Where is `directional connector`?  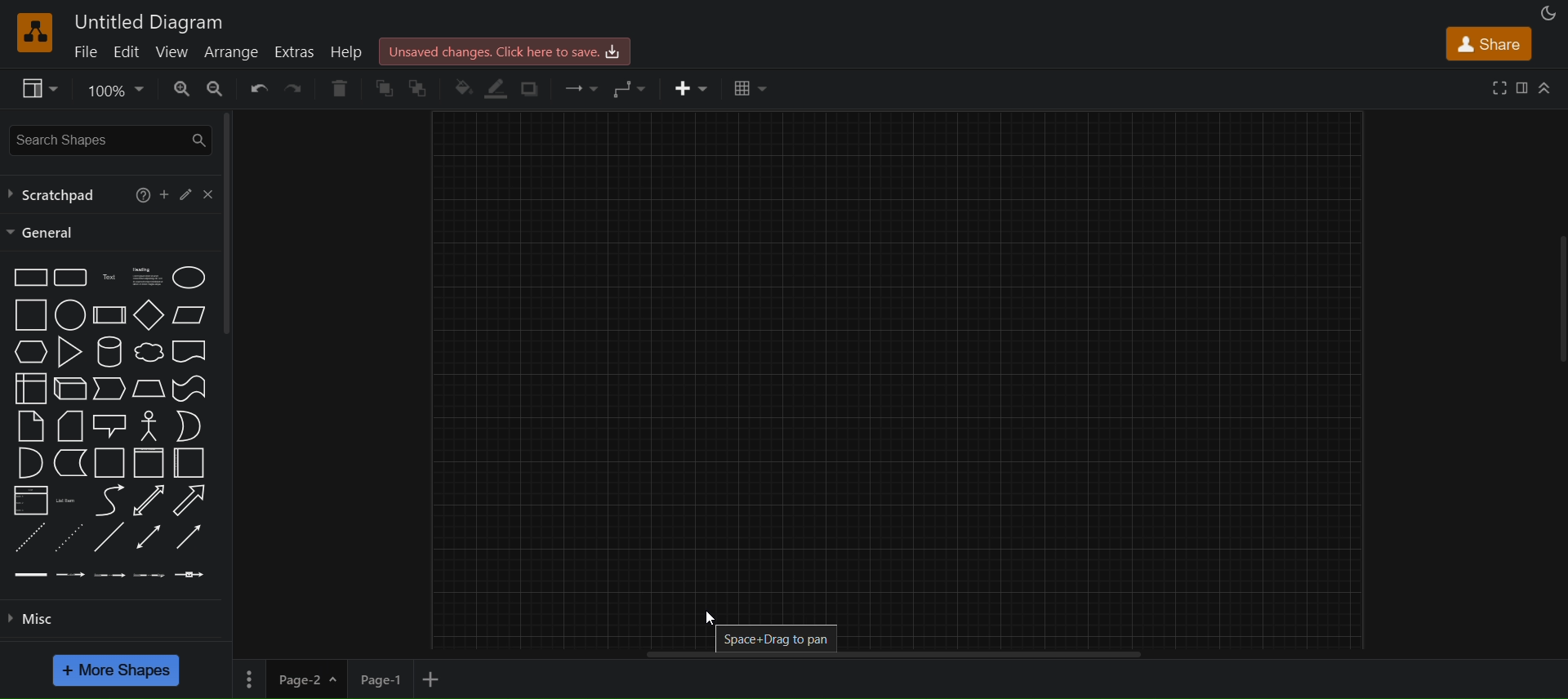 directional connector is located at coordinates (189, 536).